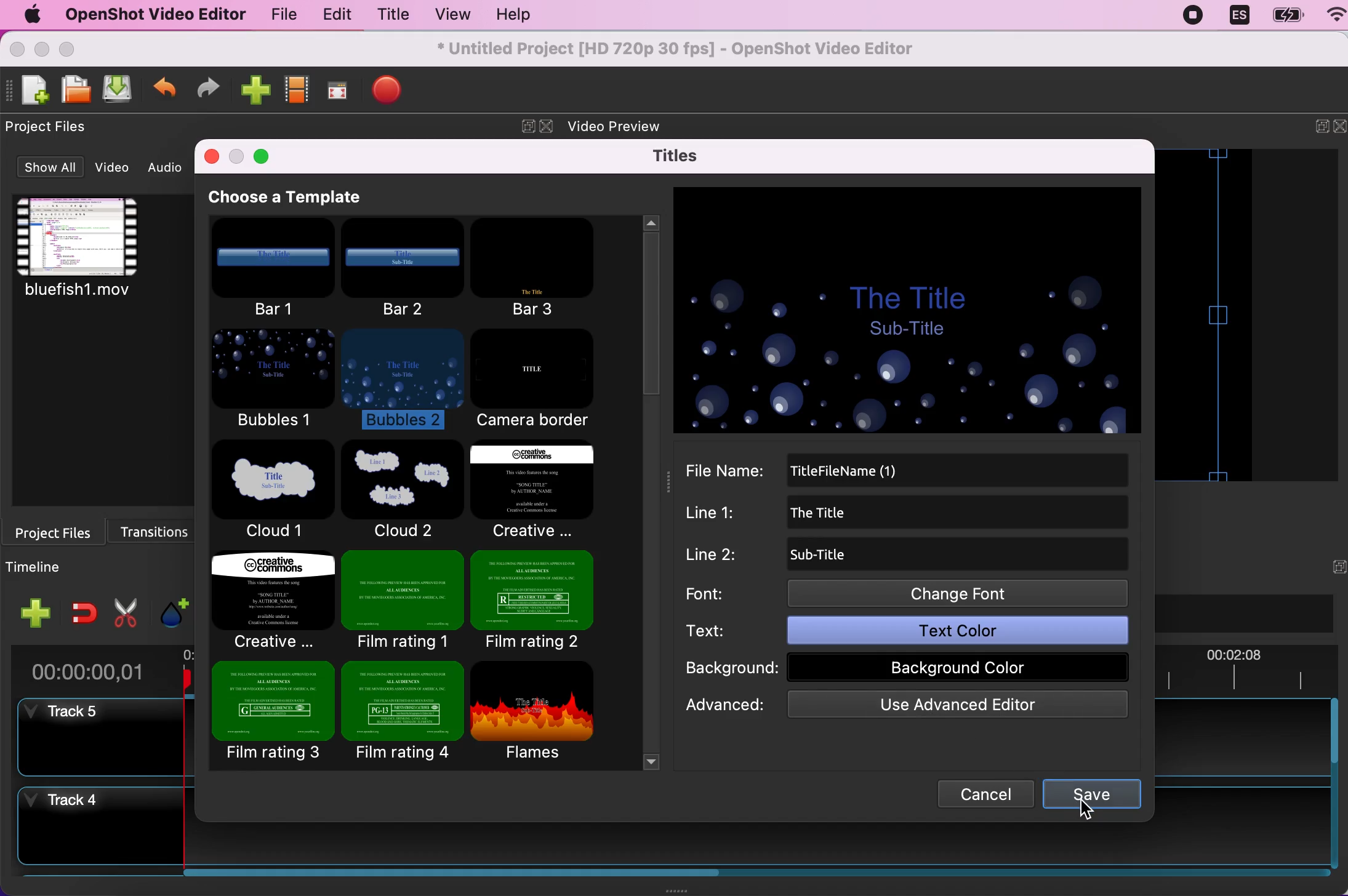 The width and height of the screenshot is (1348, 896). What do you see at coordinates (116, 167) in the screenshot?
I see `video` at bounding box center [116, 167].